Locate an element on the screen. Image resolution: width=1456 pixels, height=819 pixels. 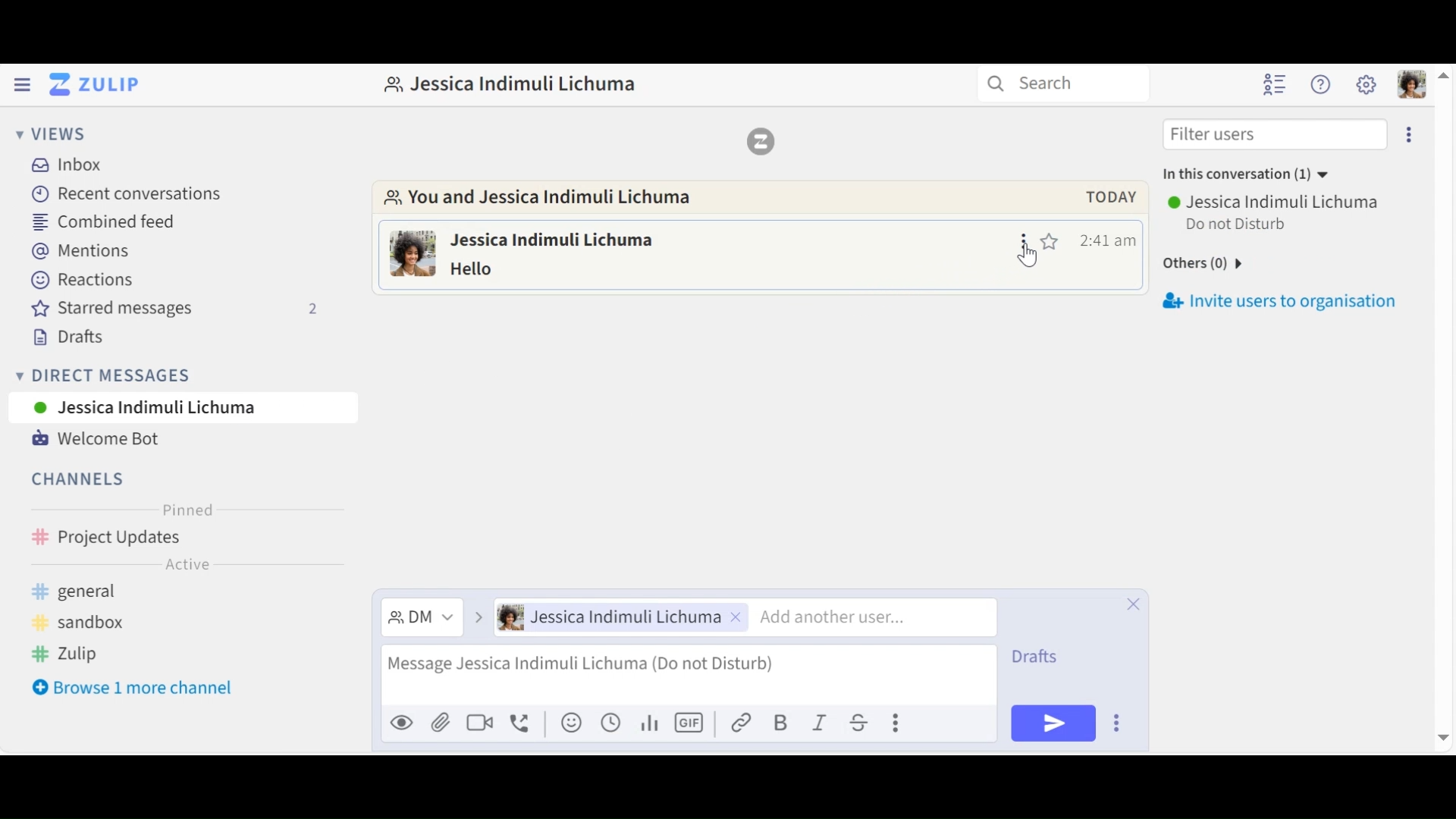
Time is located at coordinates (1109, 240).